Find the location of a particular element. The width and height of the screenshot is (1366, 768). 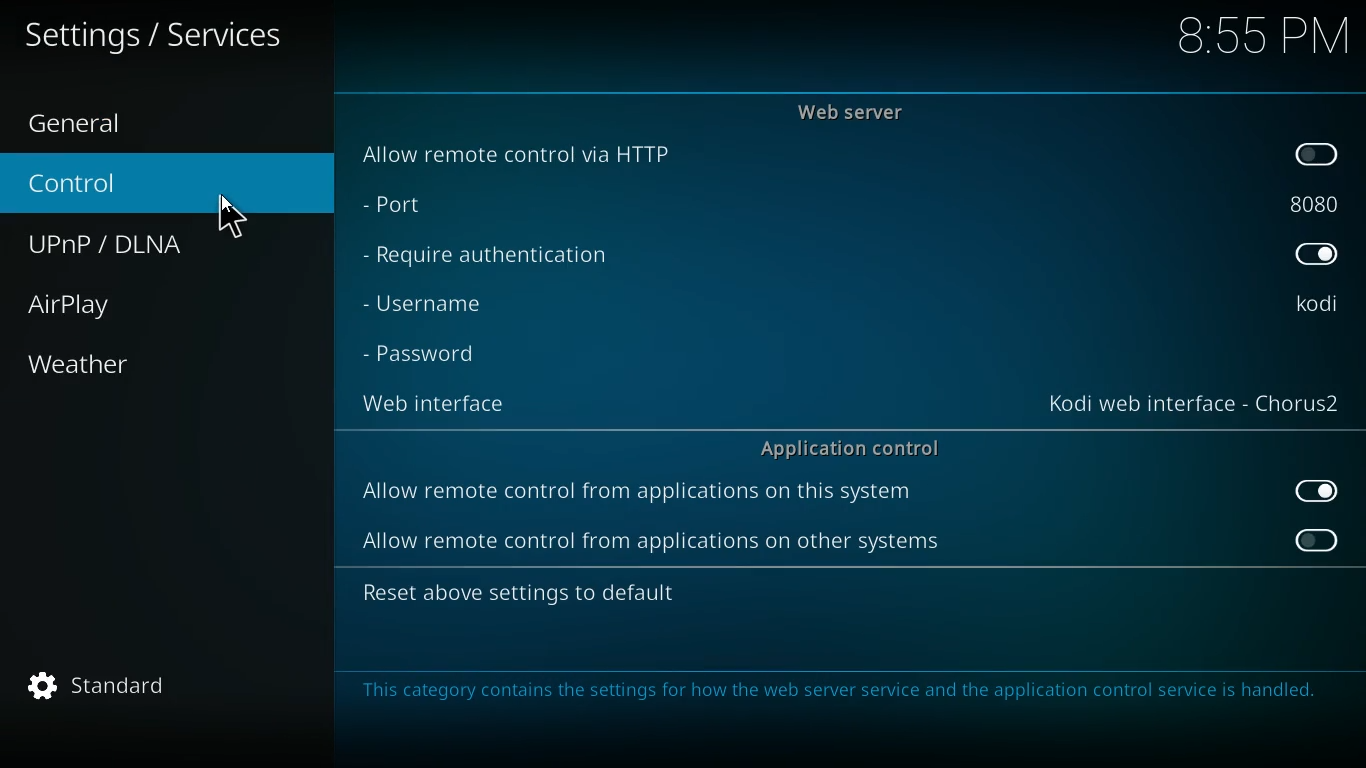

Time - 8:55PM is located at coordinates (1263, 37).